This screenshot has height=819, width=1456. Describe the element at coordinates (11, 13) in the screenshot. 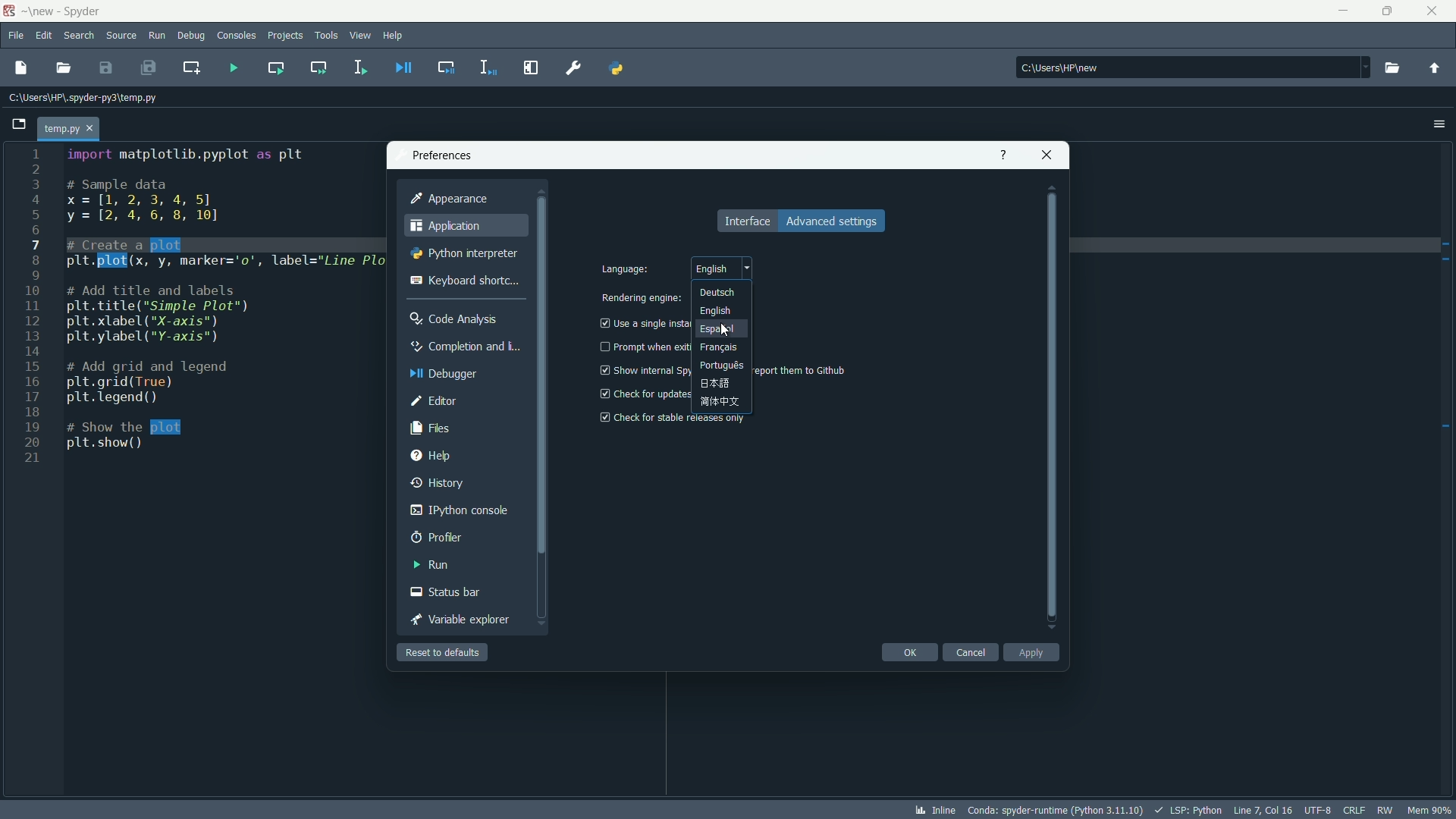

I see `app icon` at that location.